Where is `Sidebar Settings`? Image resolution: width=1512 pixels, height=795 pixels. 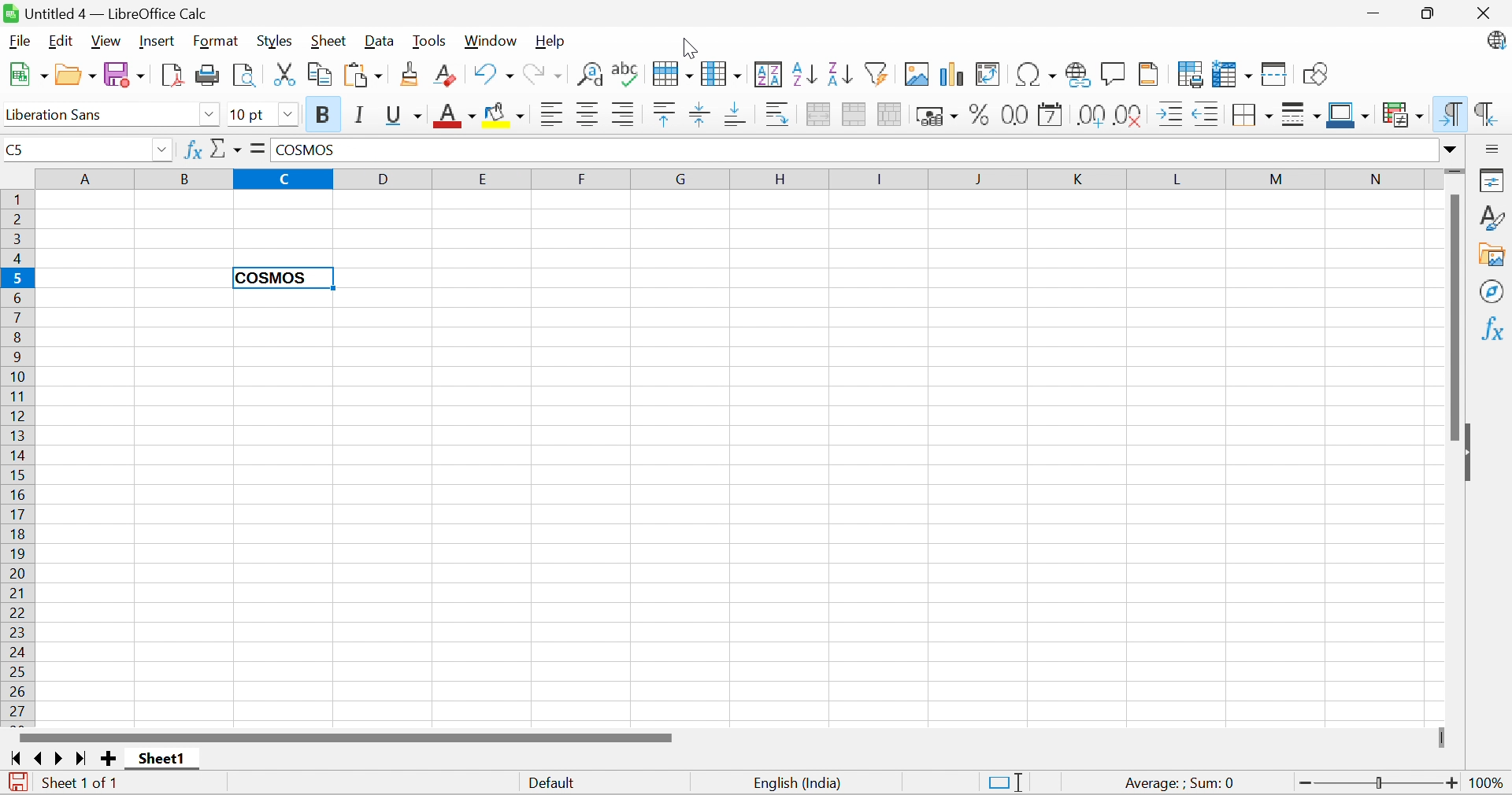 Sidebar Settings is located at coordinates (1495, 148).